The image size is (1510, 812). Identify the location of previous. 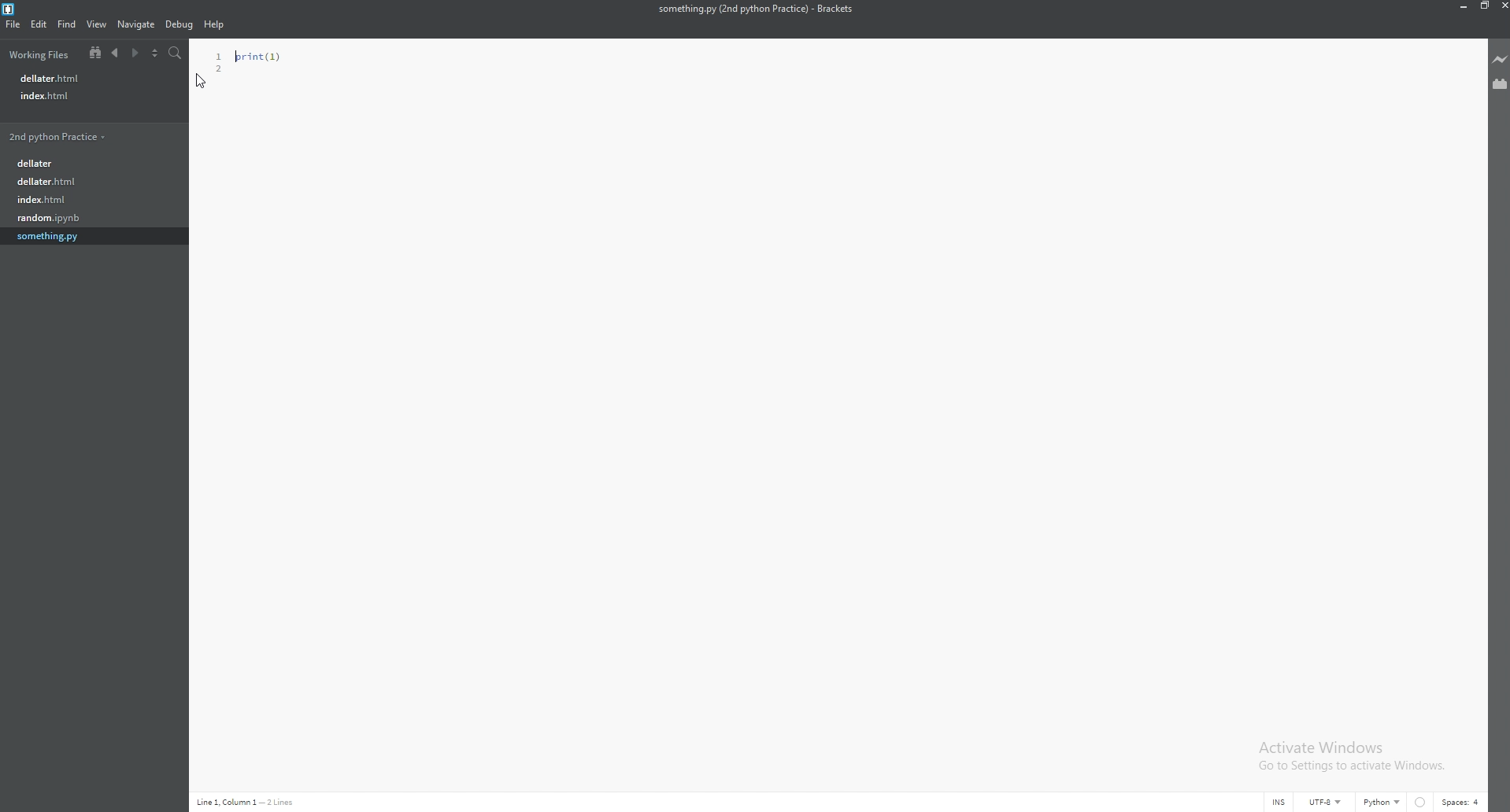
(115, 52).